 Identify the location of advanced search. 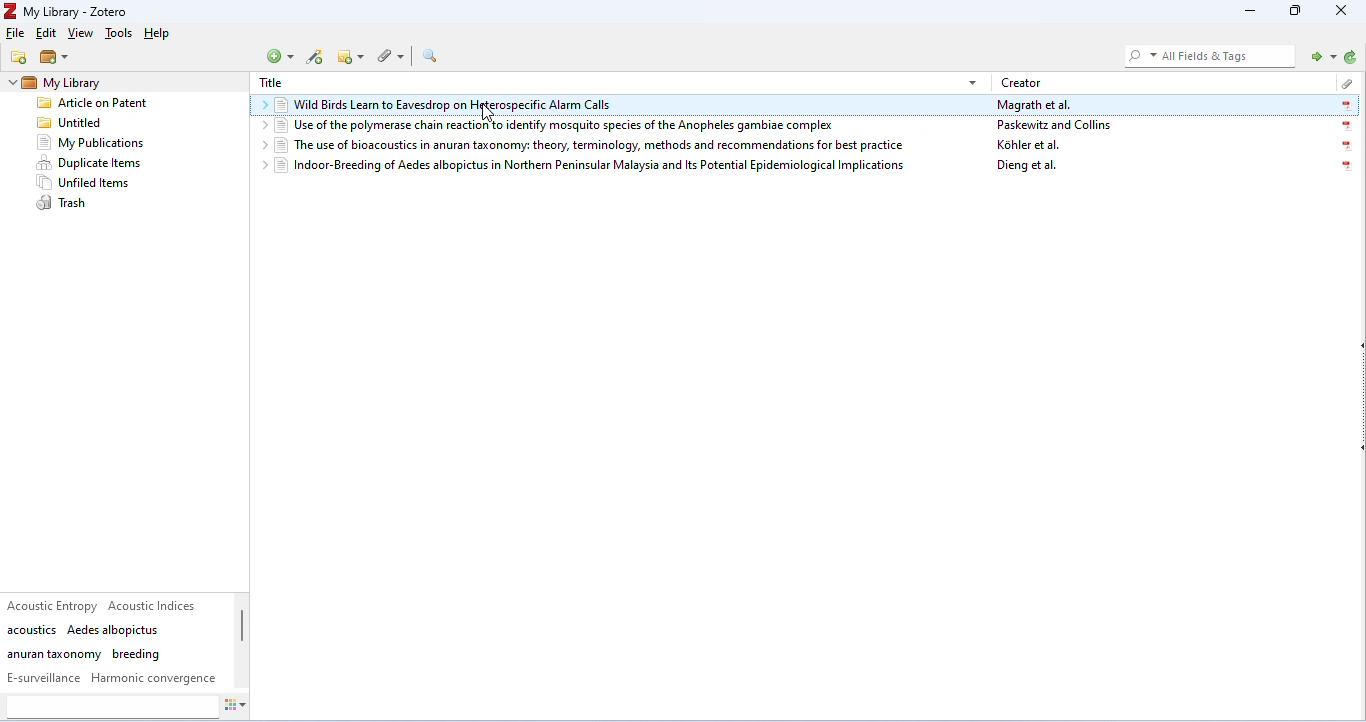
(433, 56).